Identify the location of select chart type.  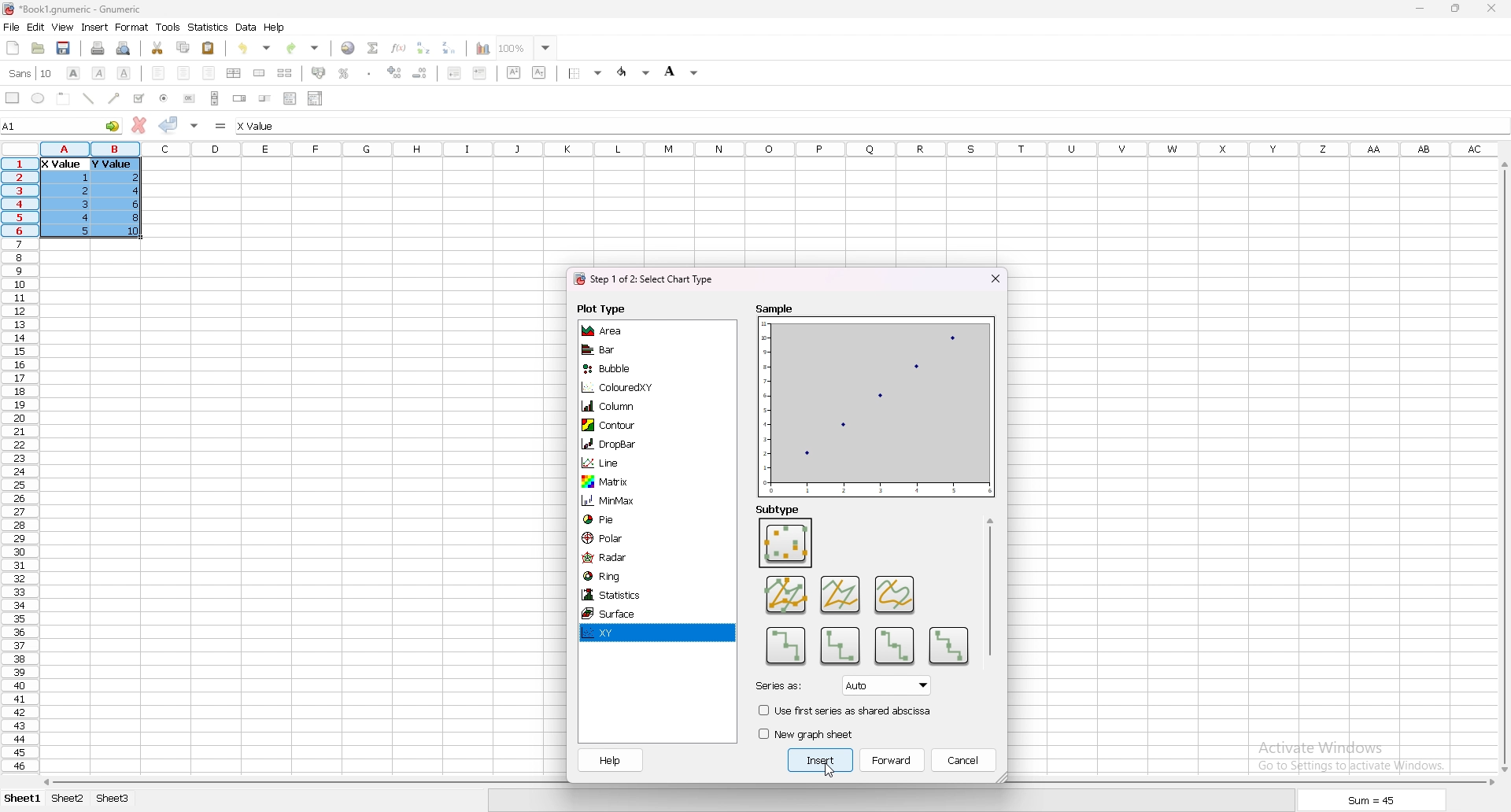
(644, 280).